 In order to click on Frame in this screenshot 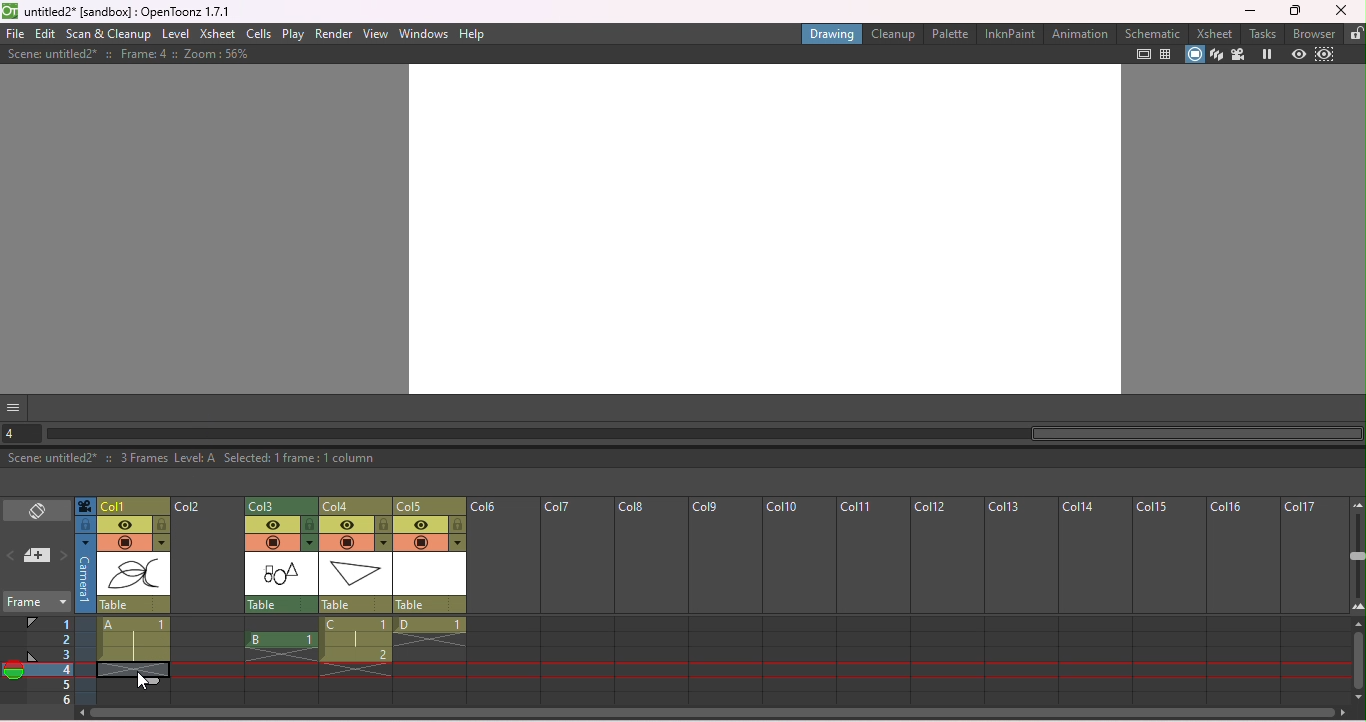, I will do `click(35, 604)`.